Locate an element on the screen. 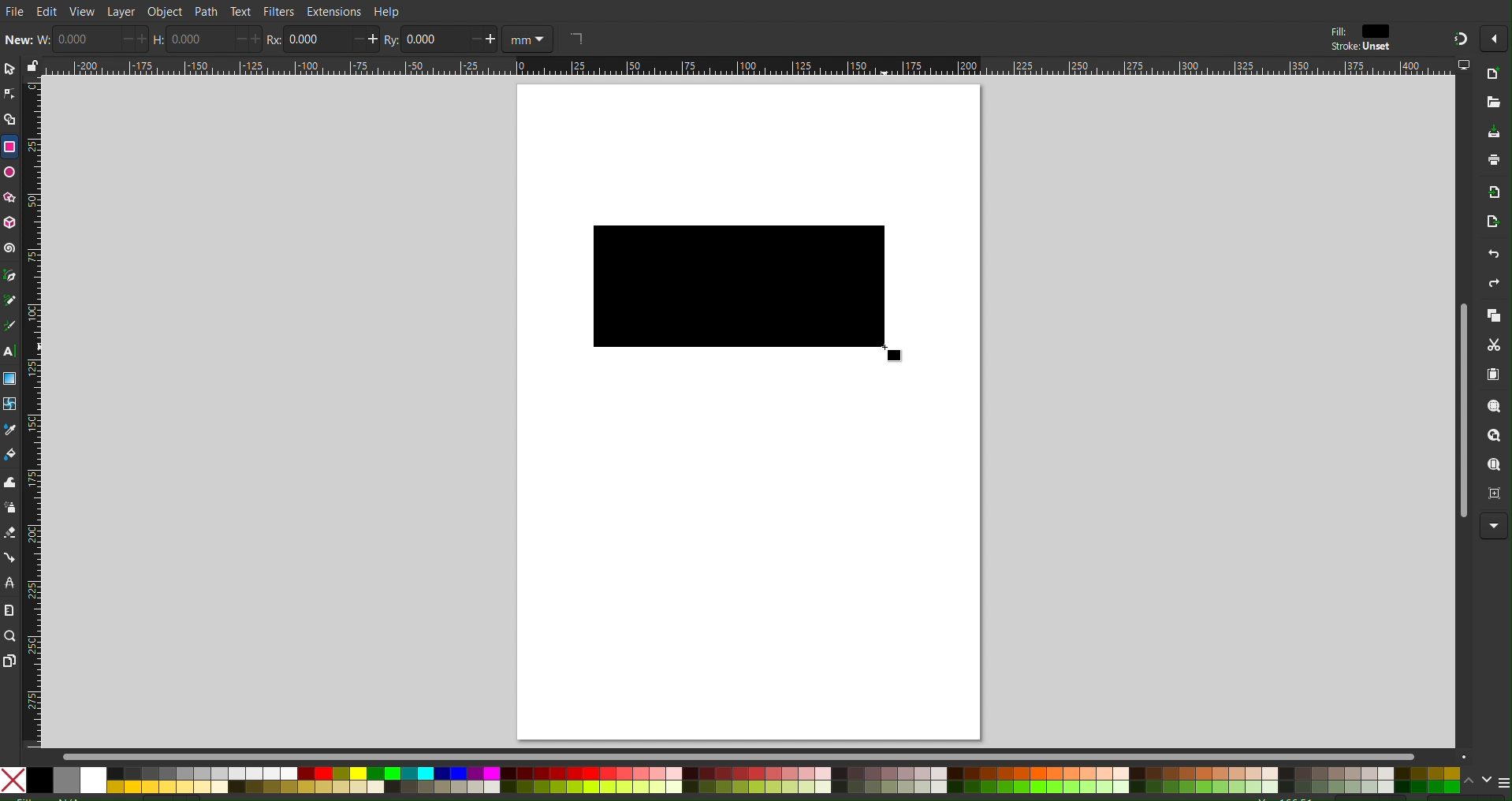 This screenshot has width=1512, height=801. Open is located at coordinates (1492, 103).